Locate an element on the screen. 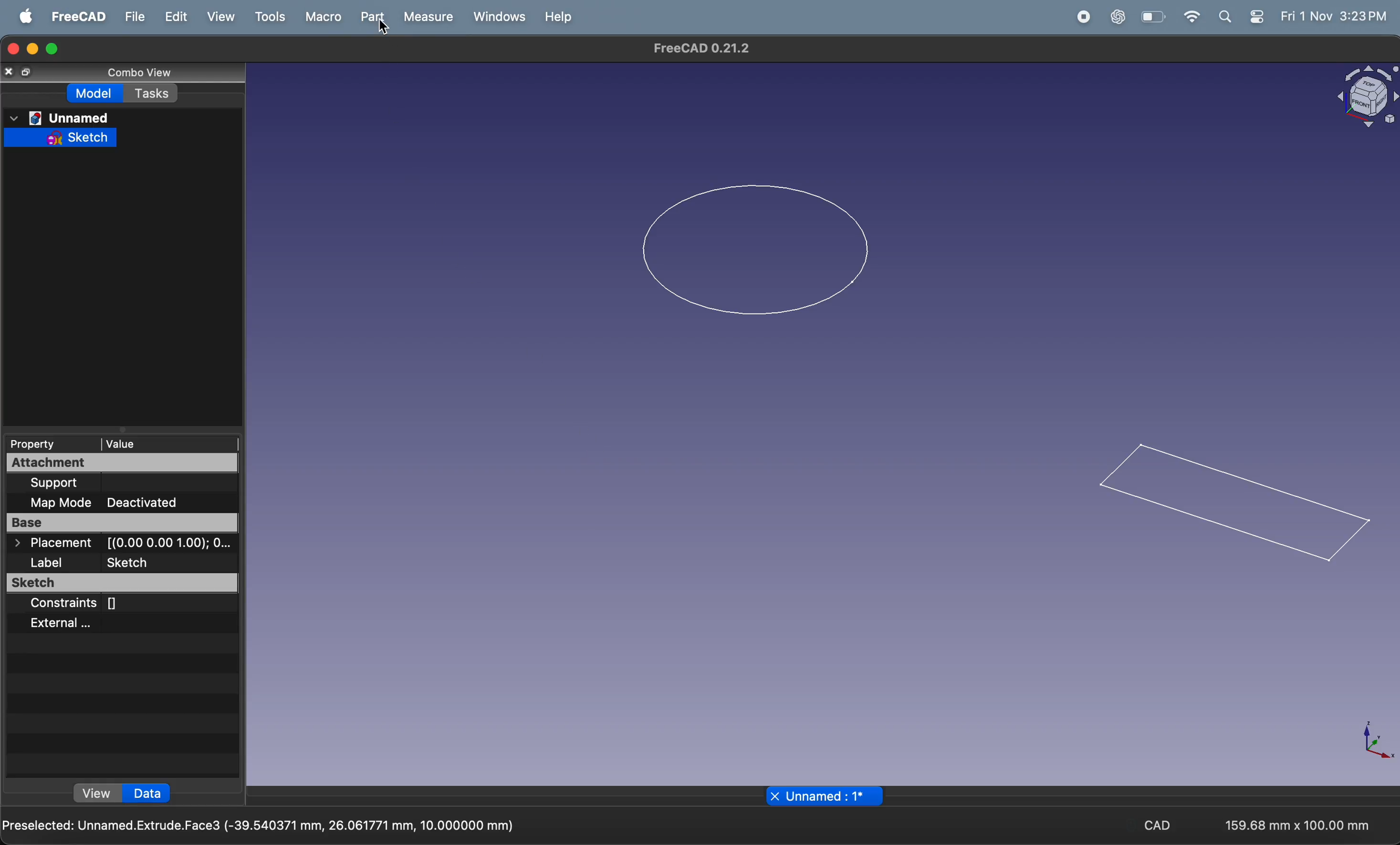  view is located at coordinates (95, 793).